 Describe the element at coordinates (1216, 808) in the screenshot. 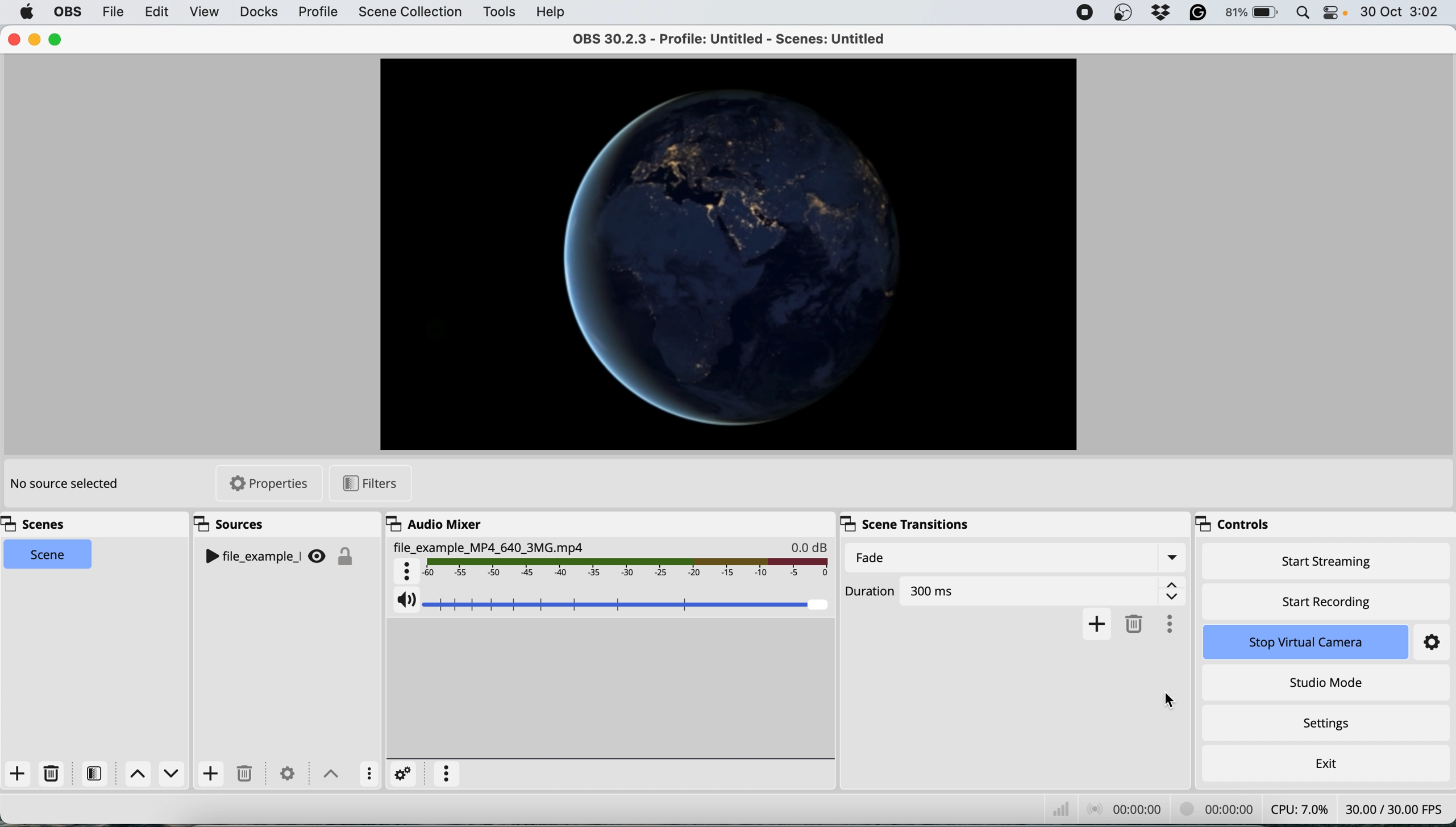

I see `video recording timestamp` at that location.